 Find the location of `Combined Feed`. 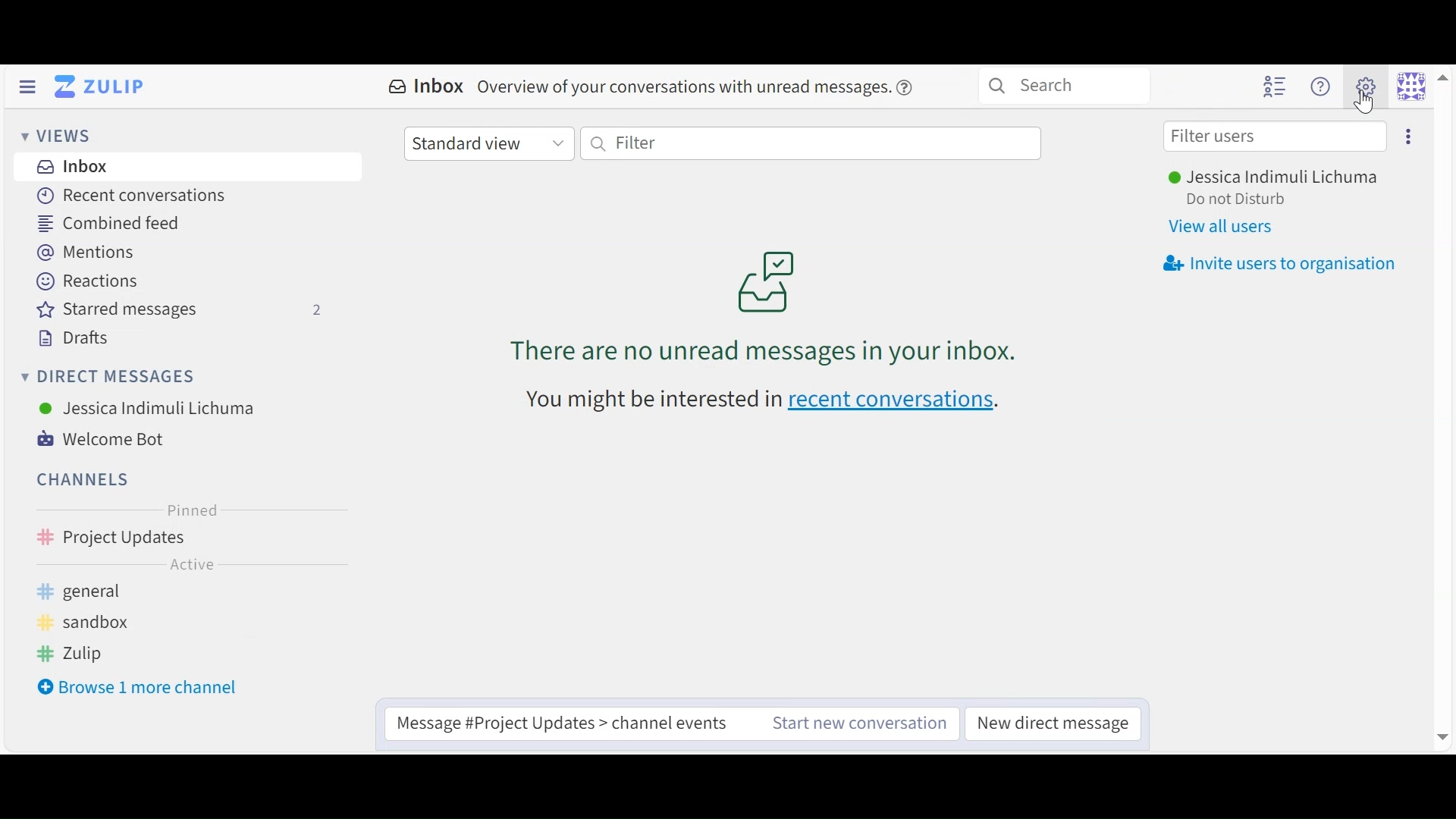

Combined Feed is located at coordinates (113, 222).